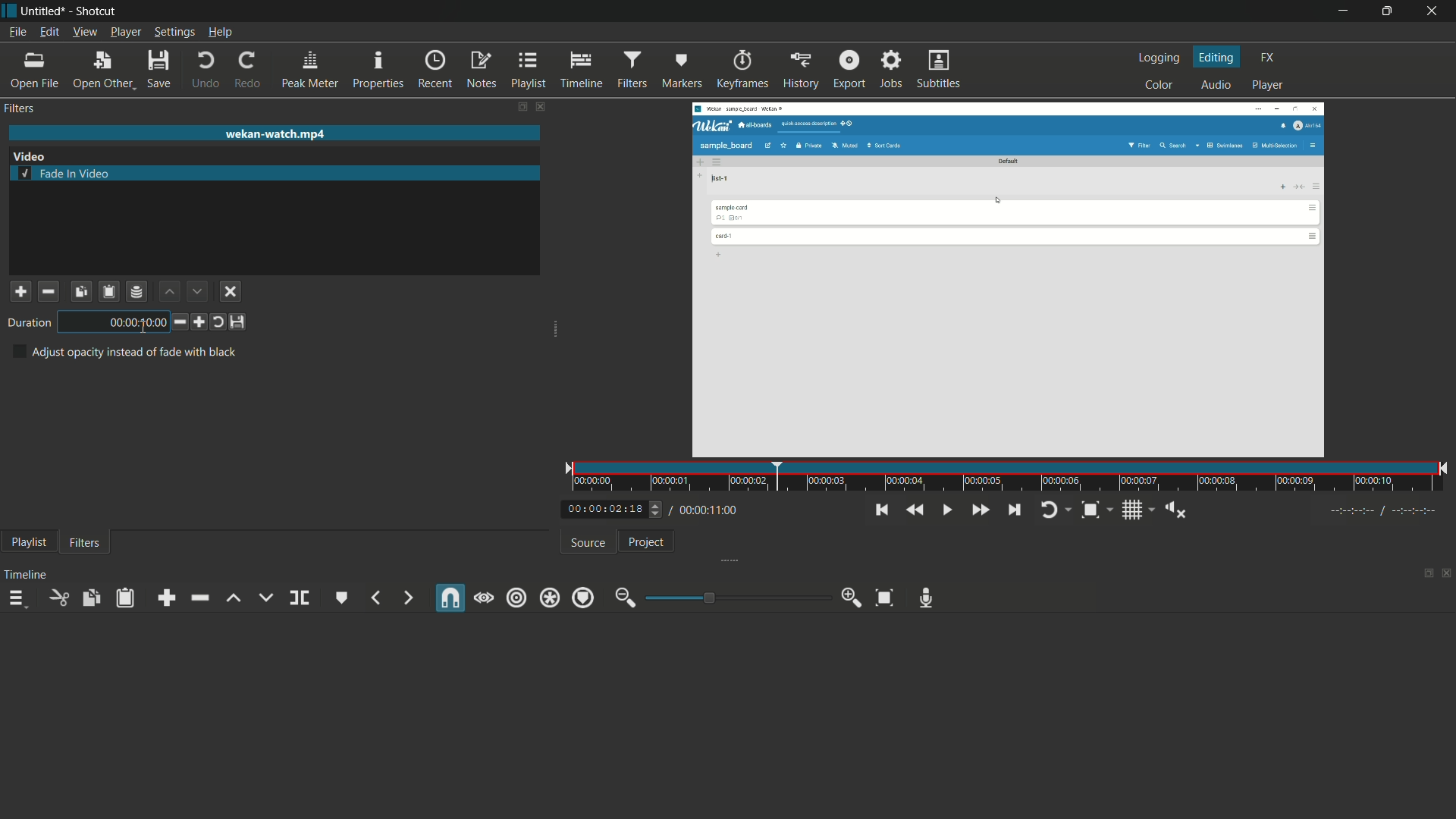  I want to click on 10, so click(115, 322).